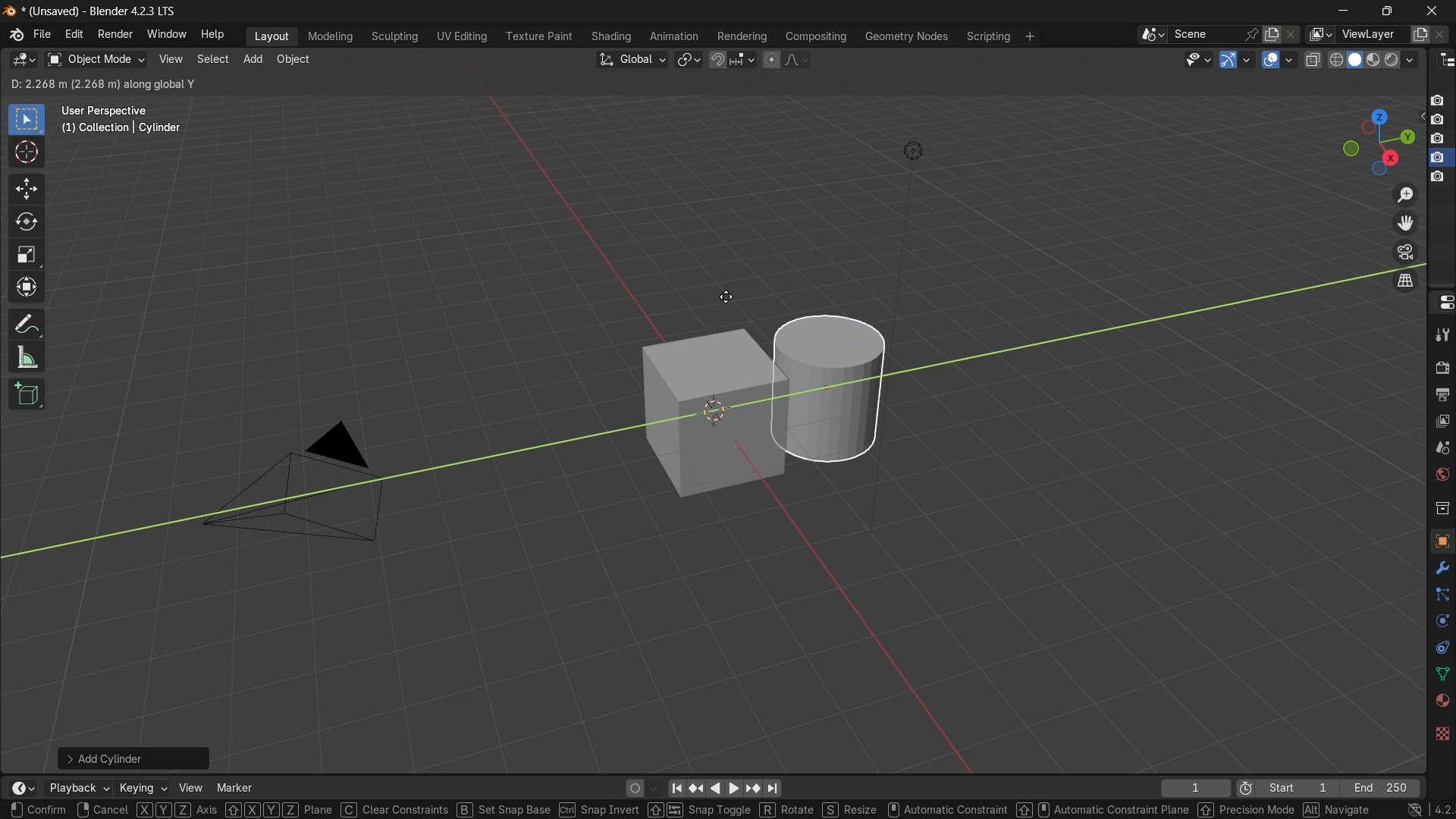 The image size is (1456, 819). What do you see at coordinates (214, 35) in the screenshot?
I see `help menu` at bounding box center [214, 35].